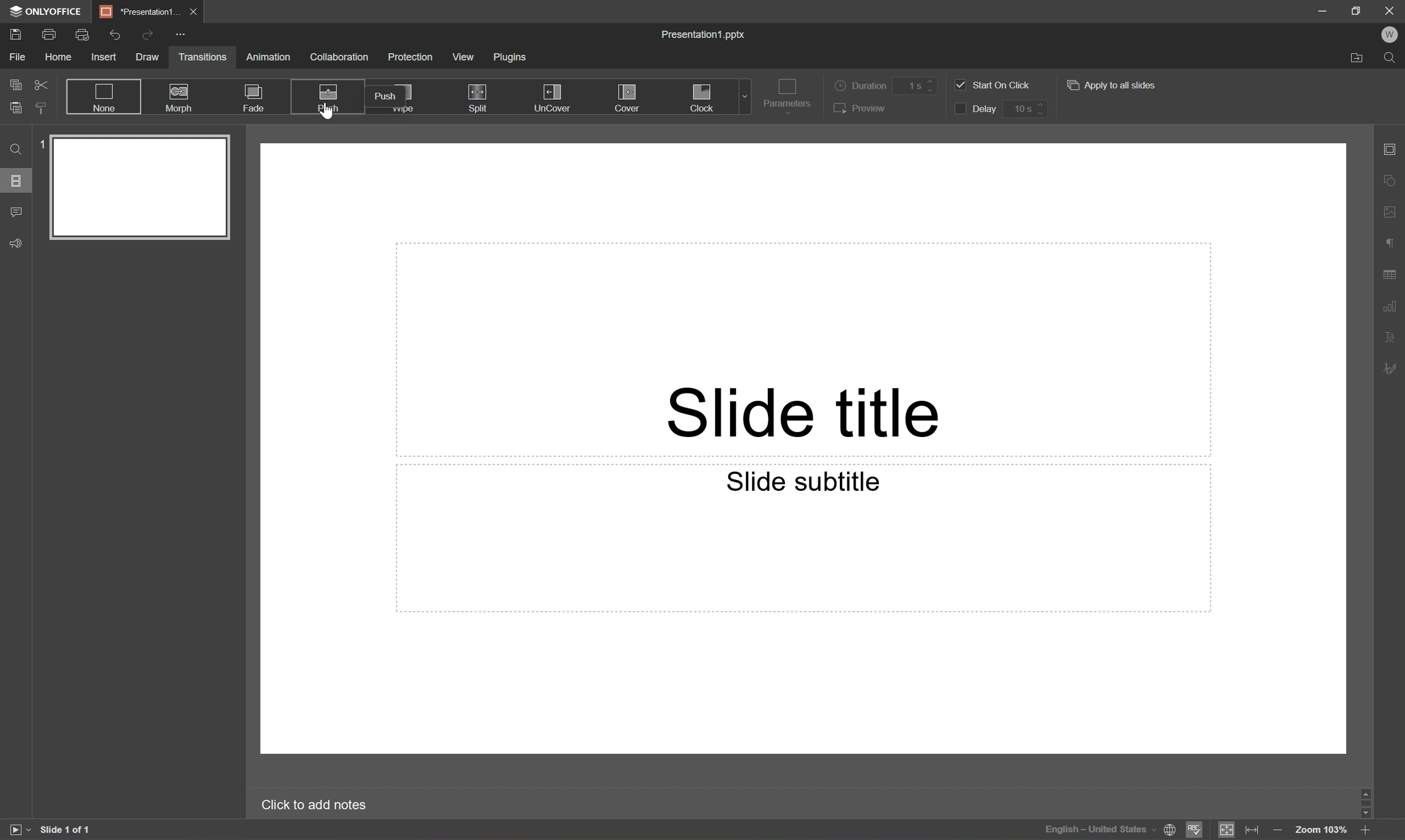  Describe the element at coordinates (115, 33) in the screenshot. I see `Undo` at that location.